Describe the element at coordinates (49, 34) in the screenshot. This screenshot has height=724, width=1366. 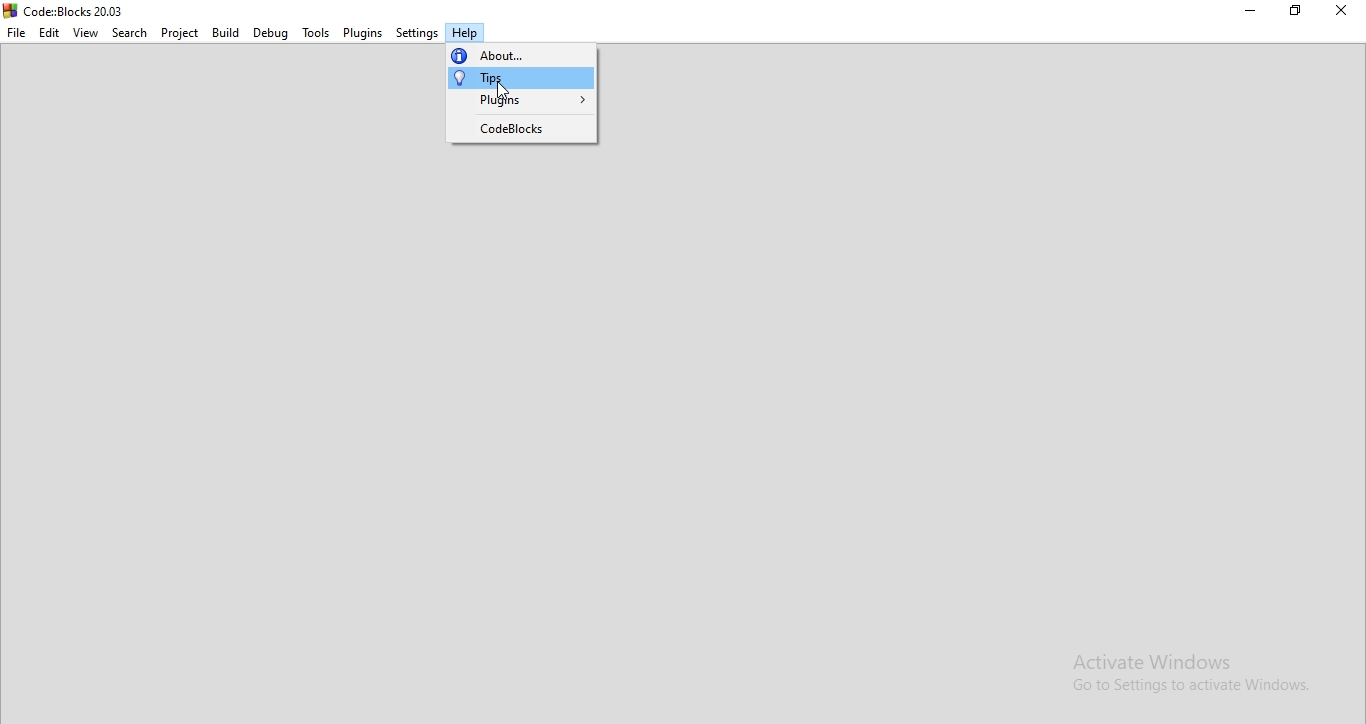
I see `Edit ` at that location.